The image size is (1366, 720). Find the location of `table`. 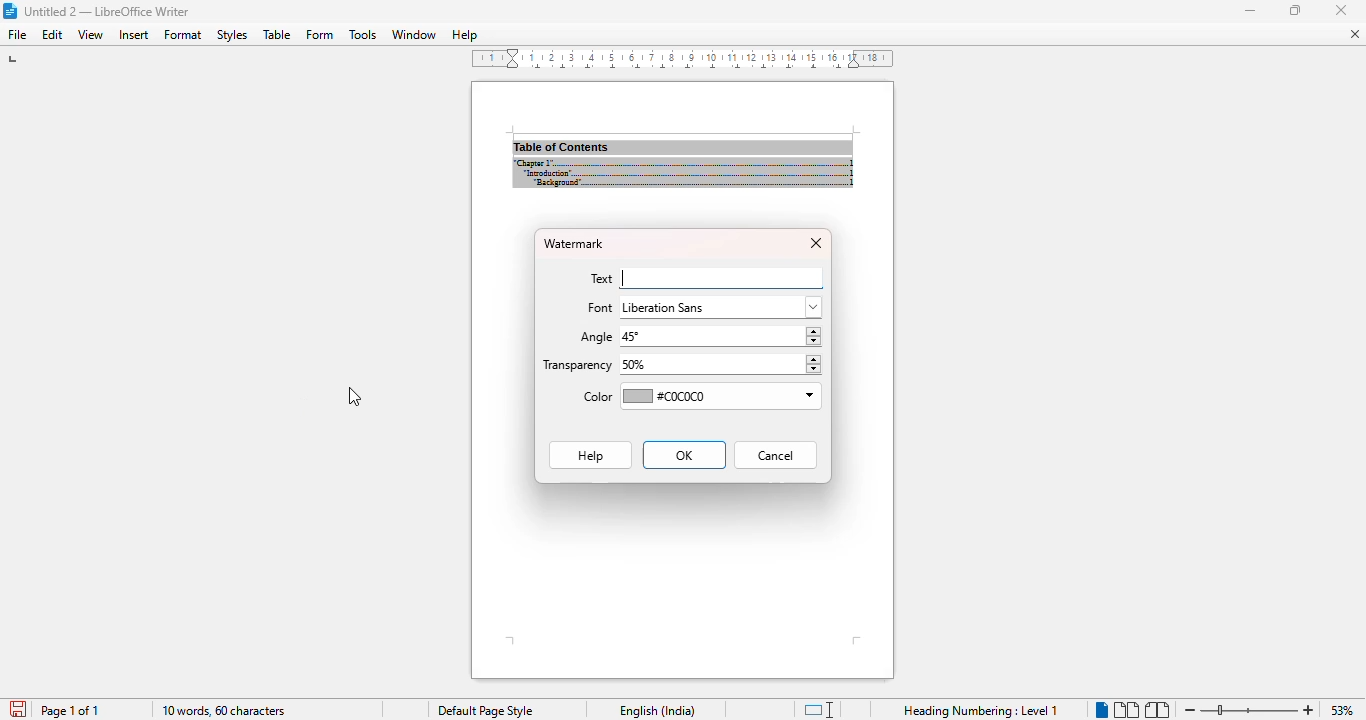

table is located at coordinates (277, 34).